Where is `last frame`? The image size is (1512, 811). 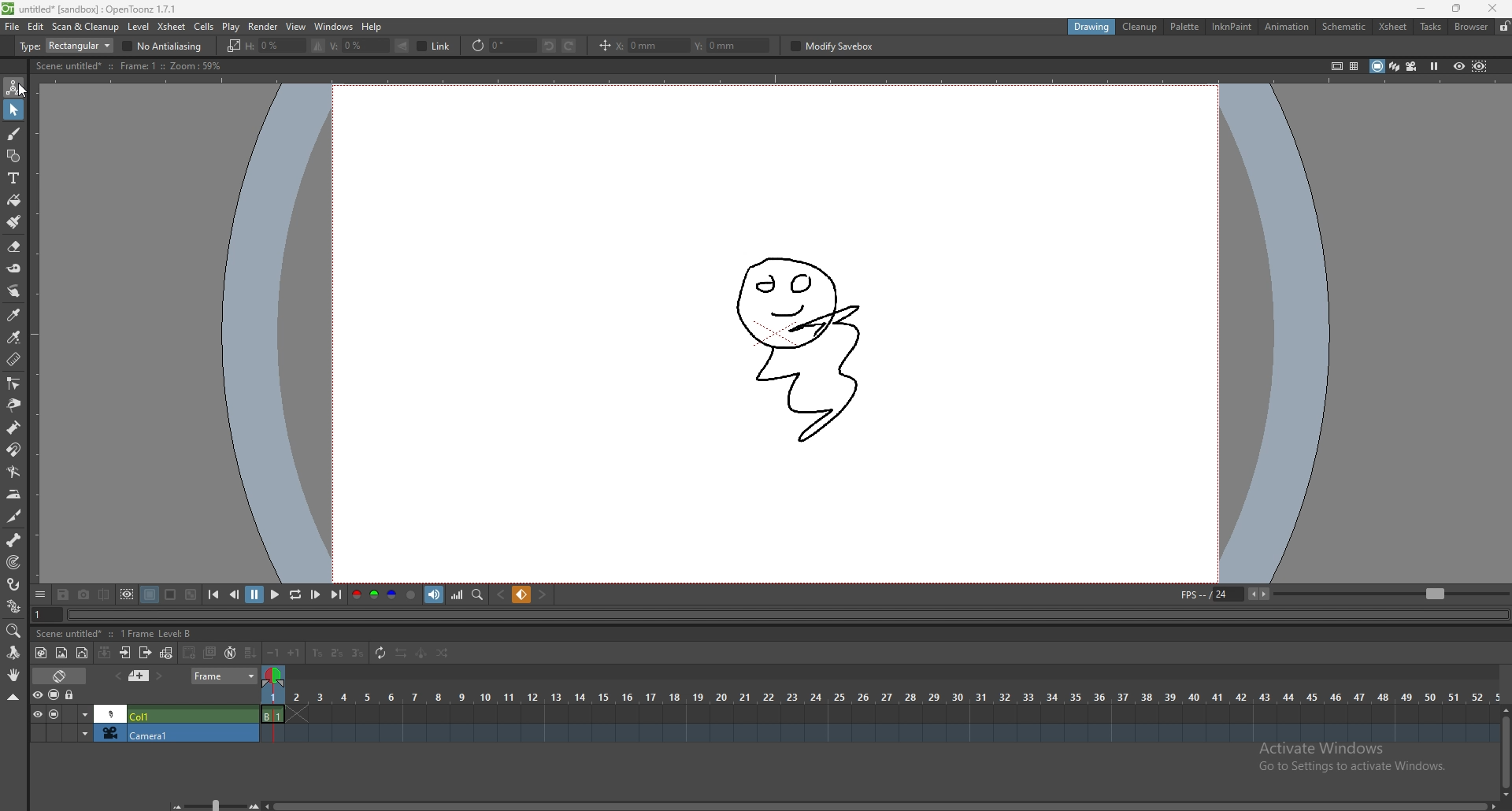
last frame is located at coordinates (335, 594).